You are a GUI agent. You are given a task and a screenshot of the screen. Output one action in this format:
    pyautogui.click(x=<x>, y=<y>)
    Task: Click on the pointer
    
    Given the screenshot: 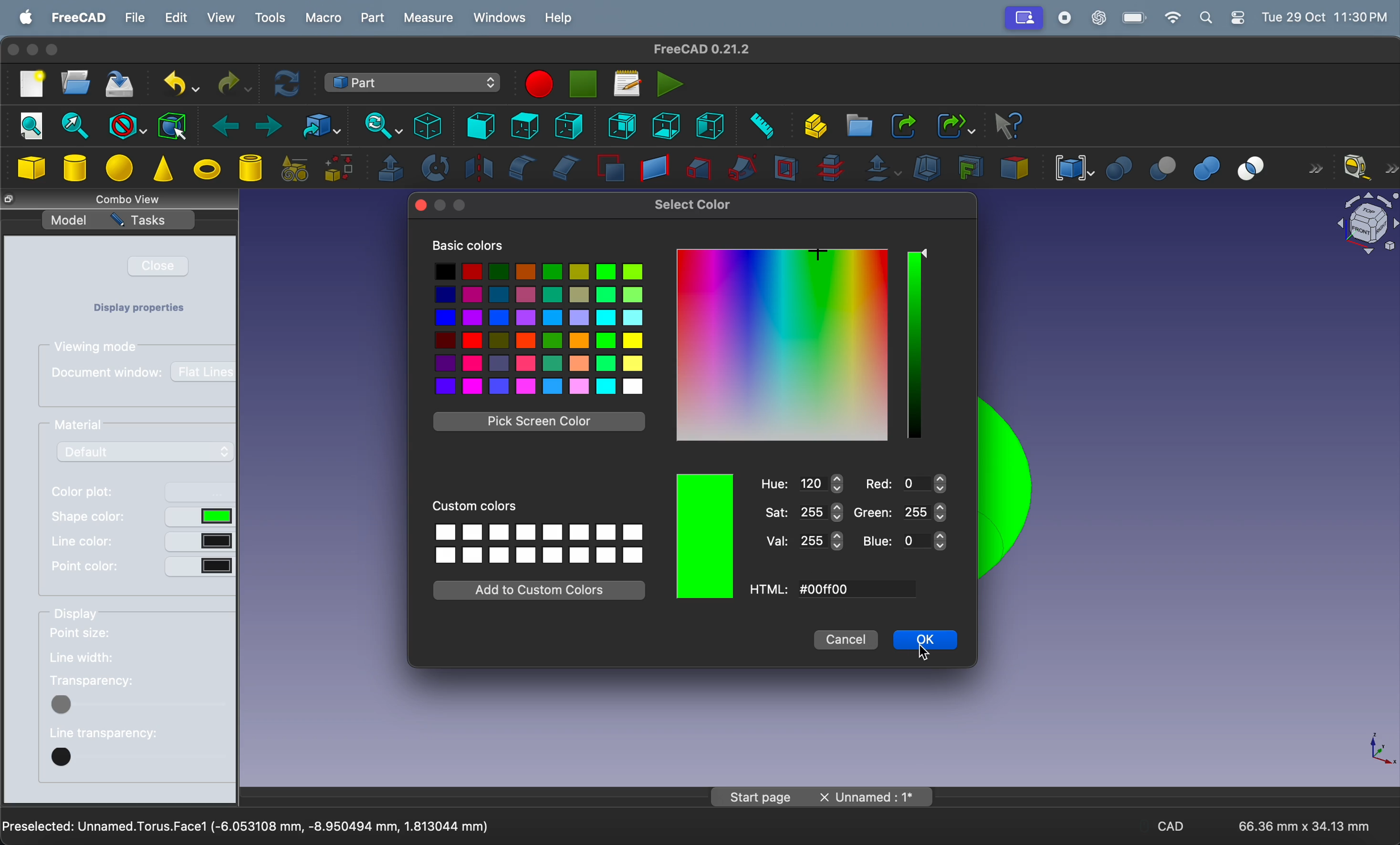 What is the action you would take?
    pyautogui.click(x=816, y=257)
    